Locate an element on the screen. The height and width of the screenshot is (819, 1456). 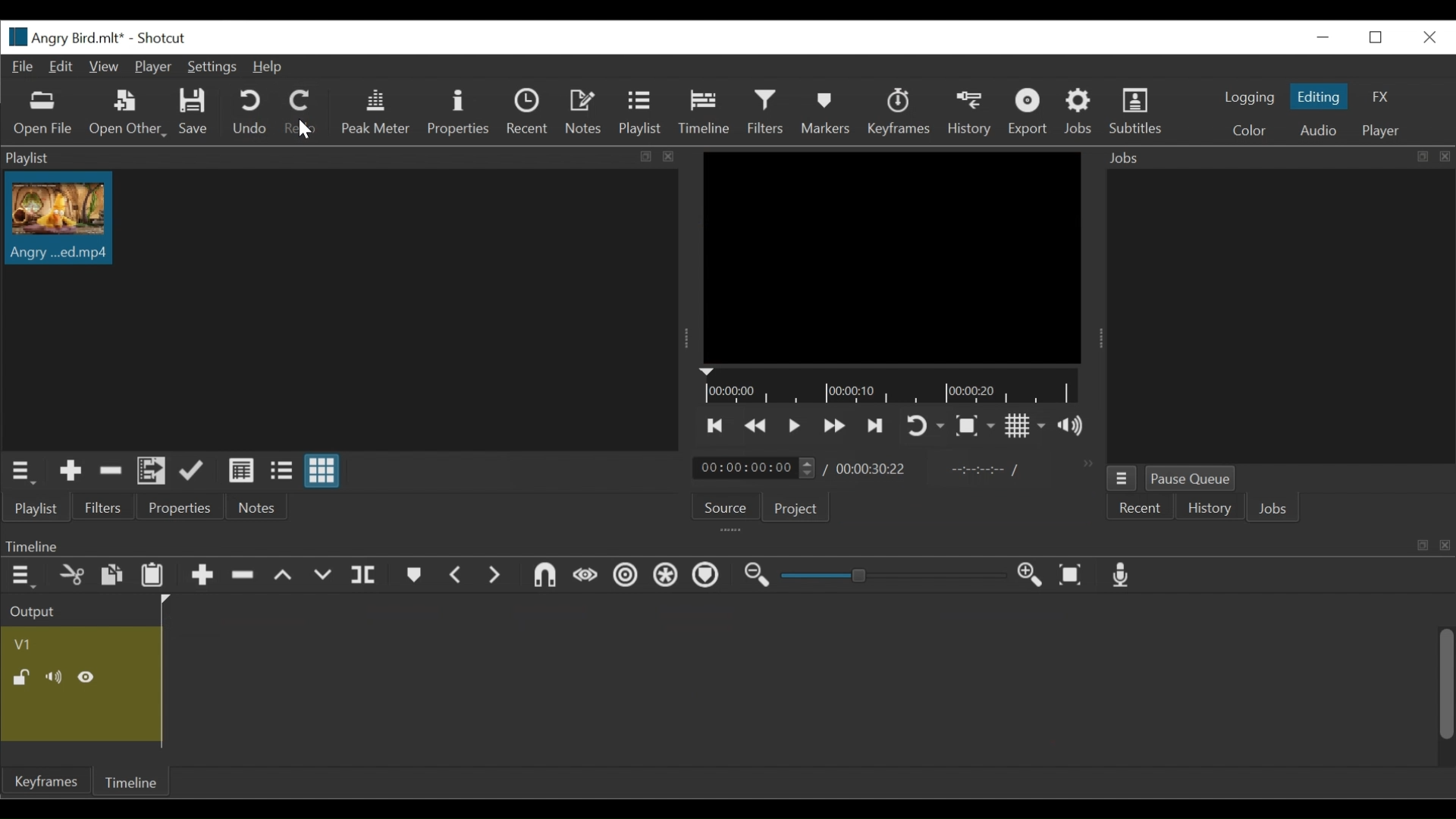
View as details is located at coordinates (242, 470).